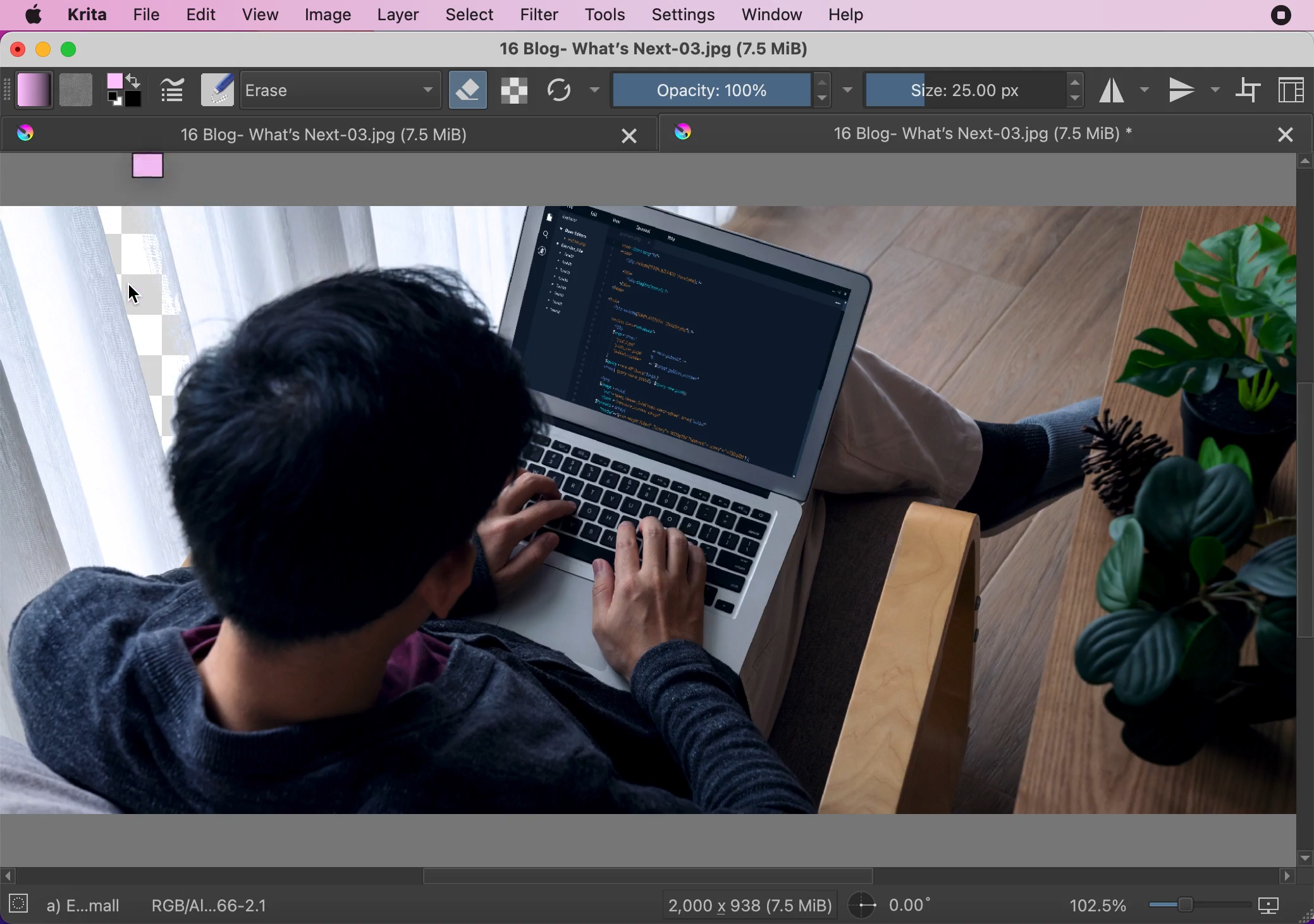 The image size is (1314, 924). What do you see at coordinates (262, 14) in the screenshot?
I see `view` at bounding box center [262, 14].